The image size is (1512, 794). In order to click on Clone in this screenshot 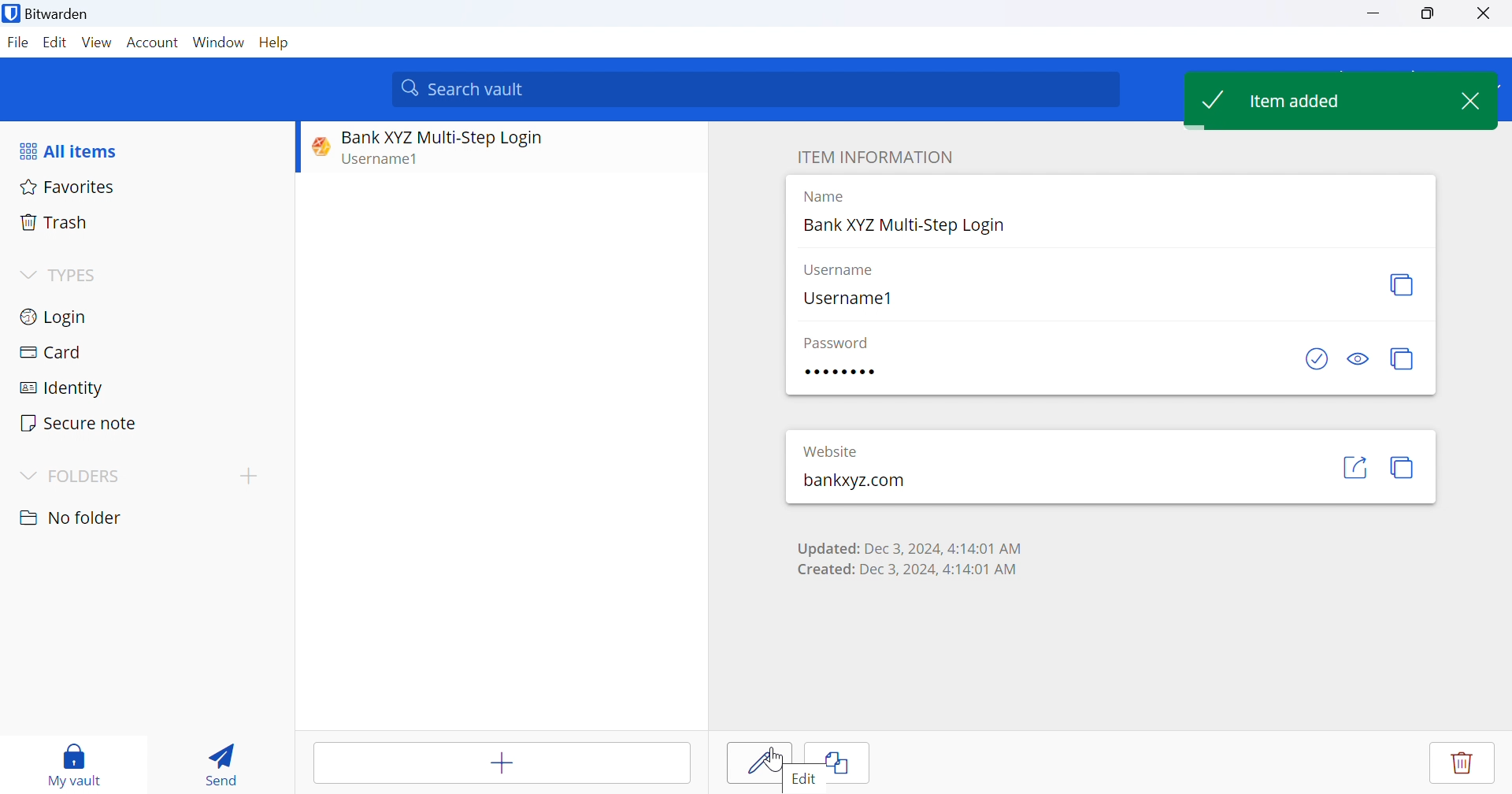, I will do `click(848, 758)`.